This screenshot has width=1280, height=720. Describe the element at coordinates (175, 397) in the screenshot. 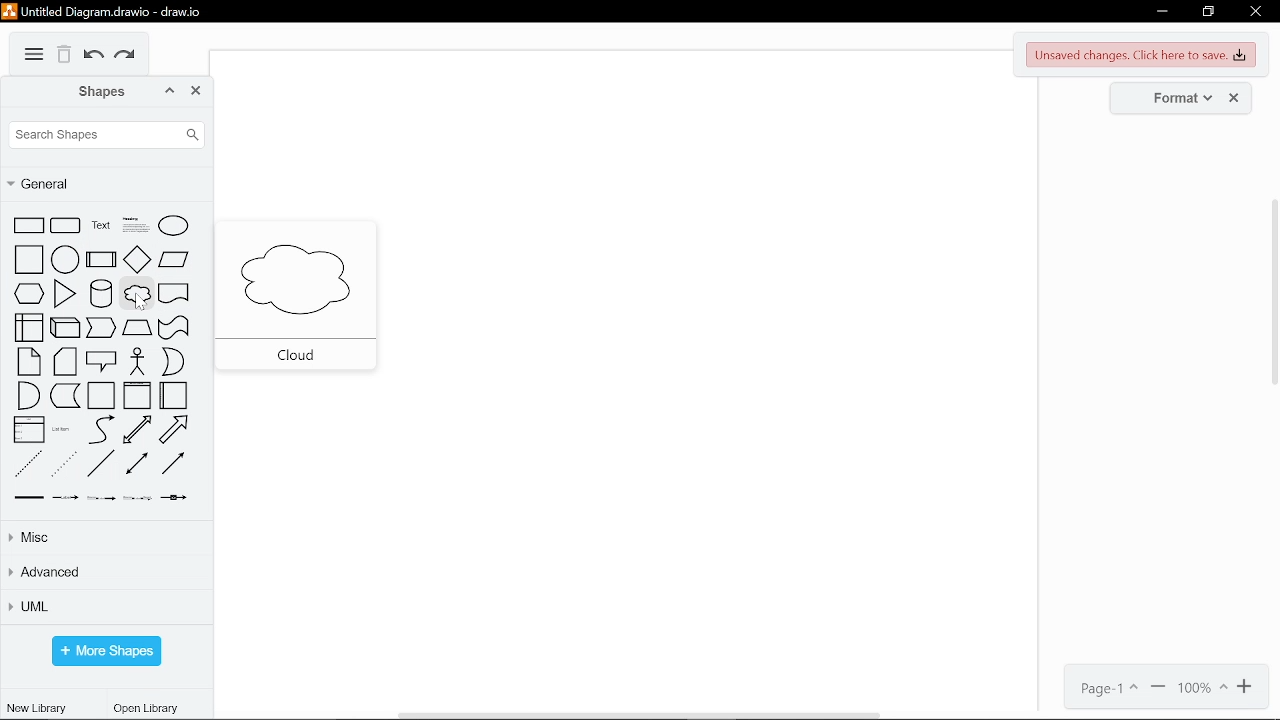

I see `horizontal container` at that location.